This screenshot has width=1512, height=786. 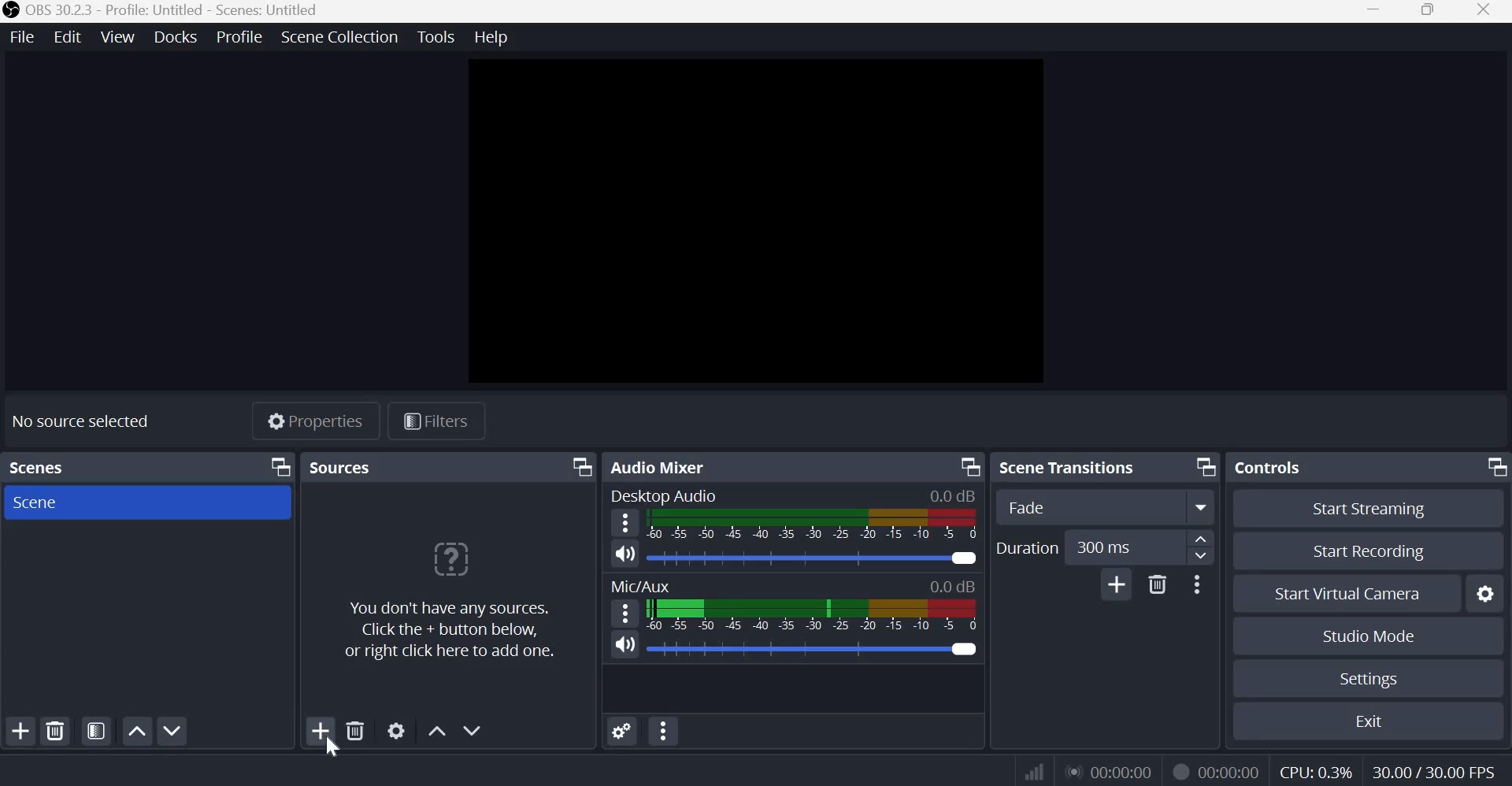 What do you see at coordinates (1314, 773) in the screenshot?
I see `CPU Usage` at bounding box center [1314, 773].